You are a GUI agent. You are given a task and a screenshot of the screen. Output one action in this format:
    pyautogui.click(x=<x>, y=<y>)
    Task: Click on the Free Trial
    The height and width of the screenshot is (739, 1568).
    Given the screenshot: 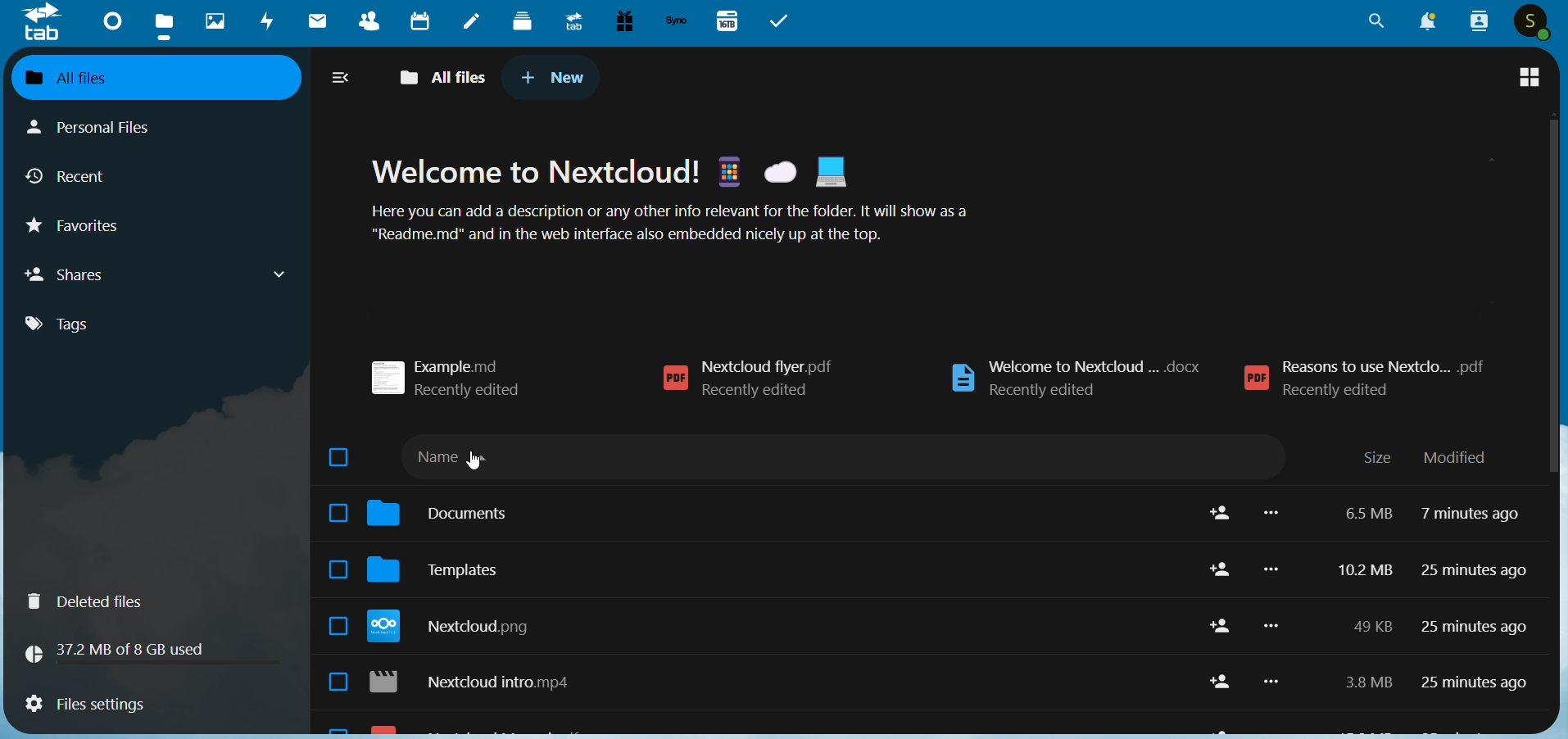 What is the action you would take?
    pyautogui.click(x=625, y=20)
    